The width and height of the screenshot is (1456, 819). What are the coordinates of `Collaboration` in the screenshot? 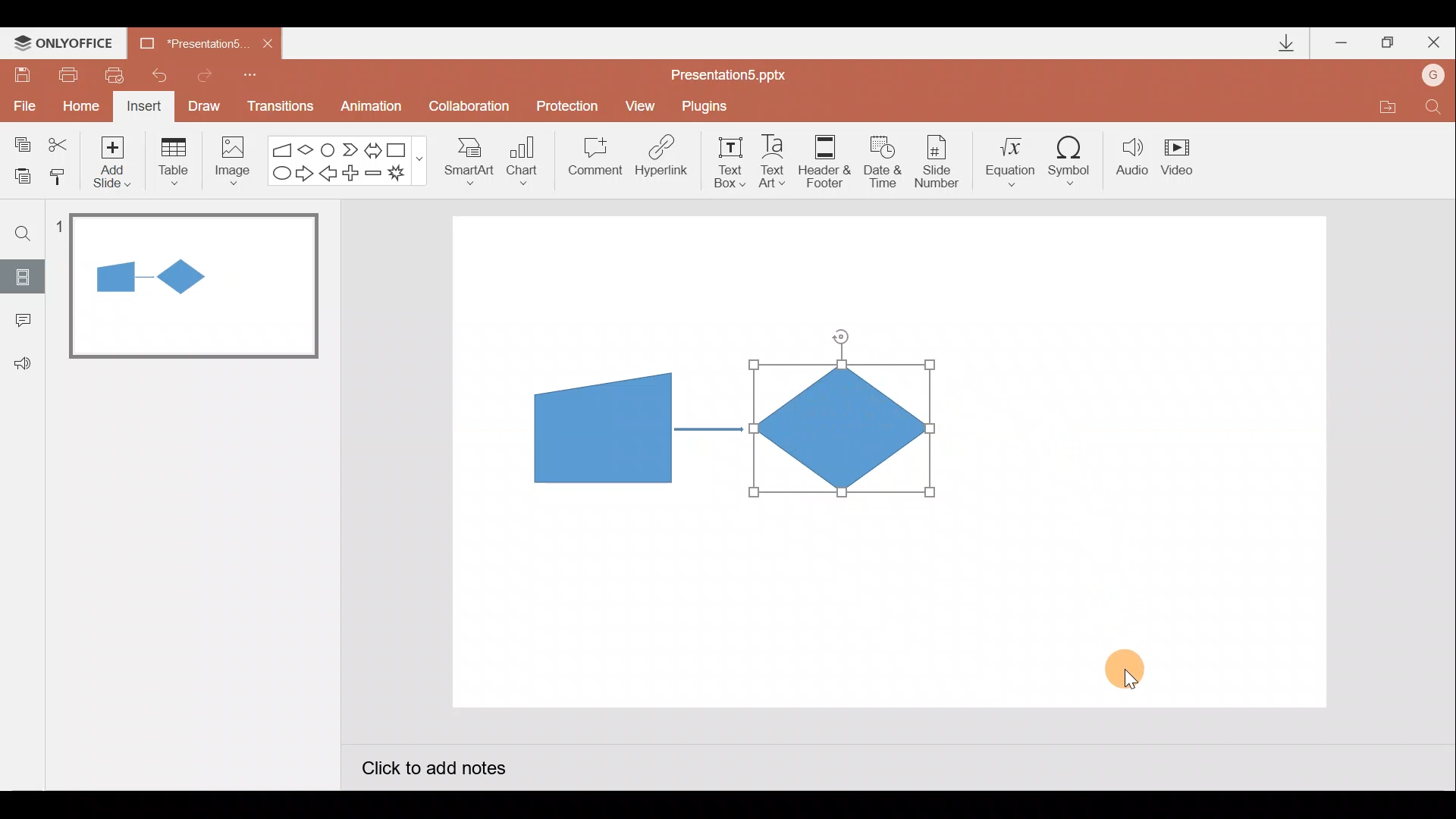 It's located at (472, 108).